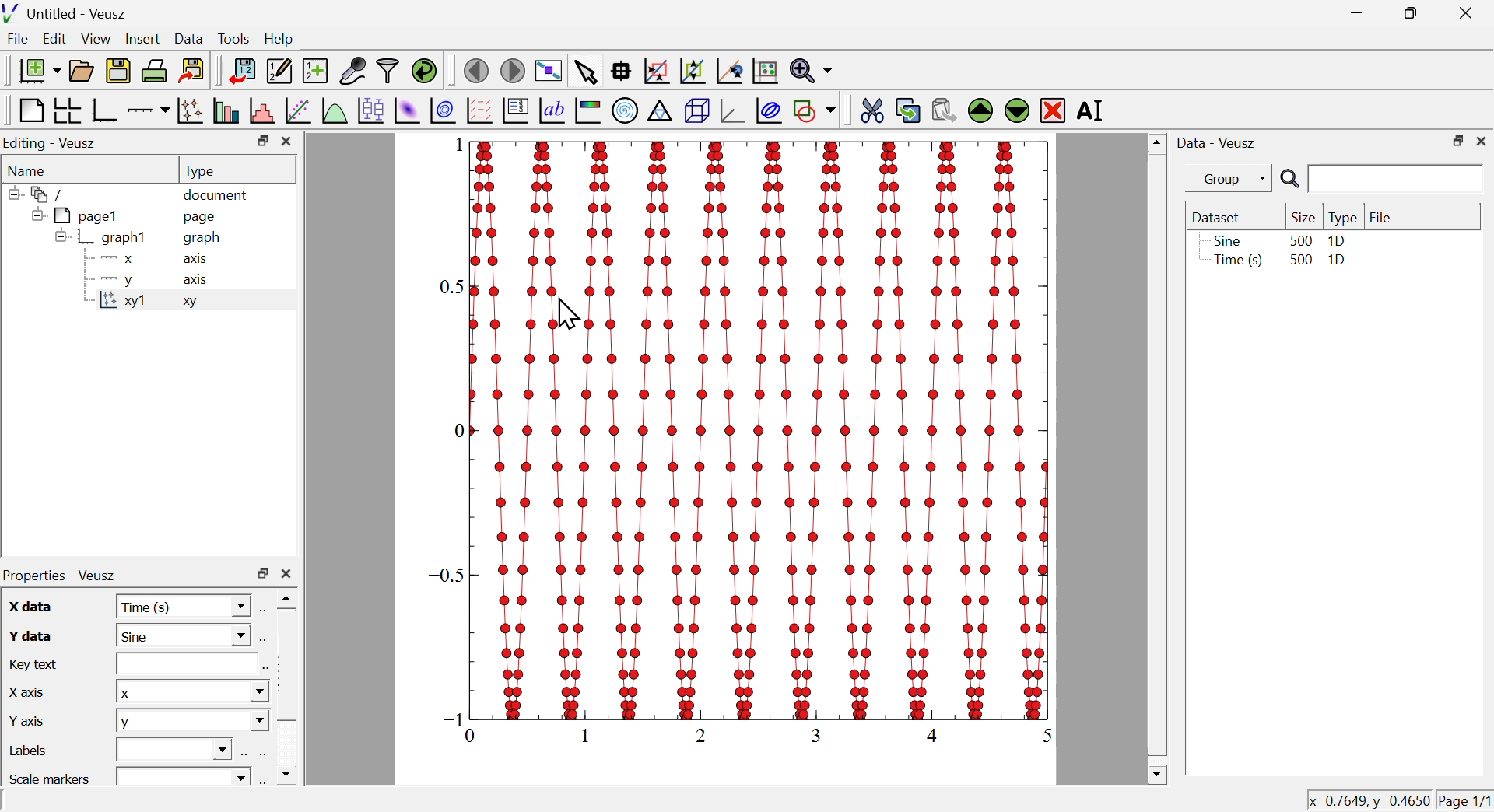 Image resolution: width=1494 pixels, height=812 pixels. I want to click on scrollbar, so click(287, 688).